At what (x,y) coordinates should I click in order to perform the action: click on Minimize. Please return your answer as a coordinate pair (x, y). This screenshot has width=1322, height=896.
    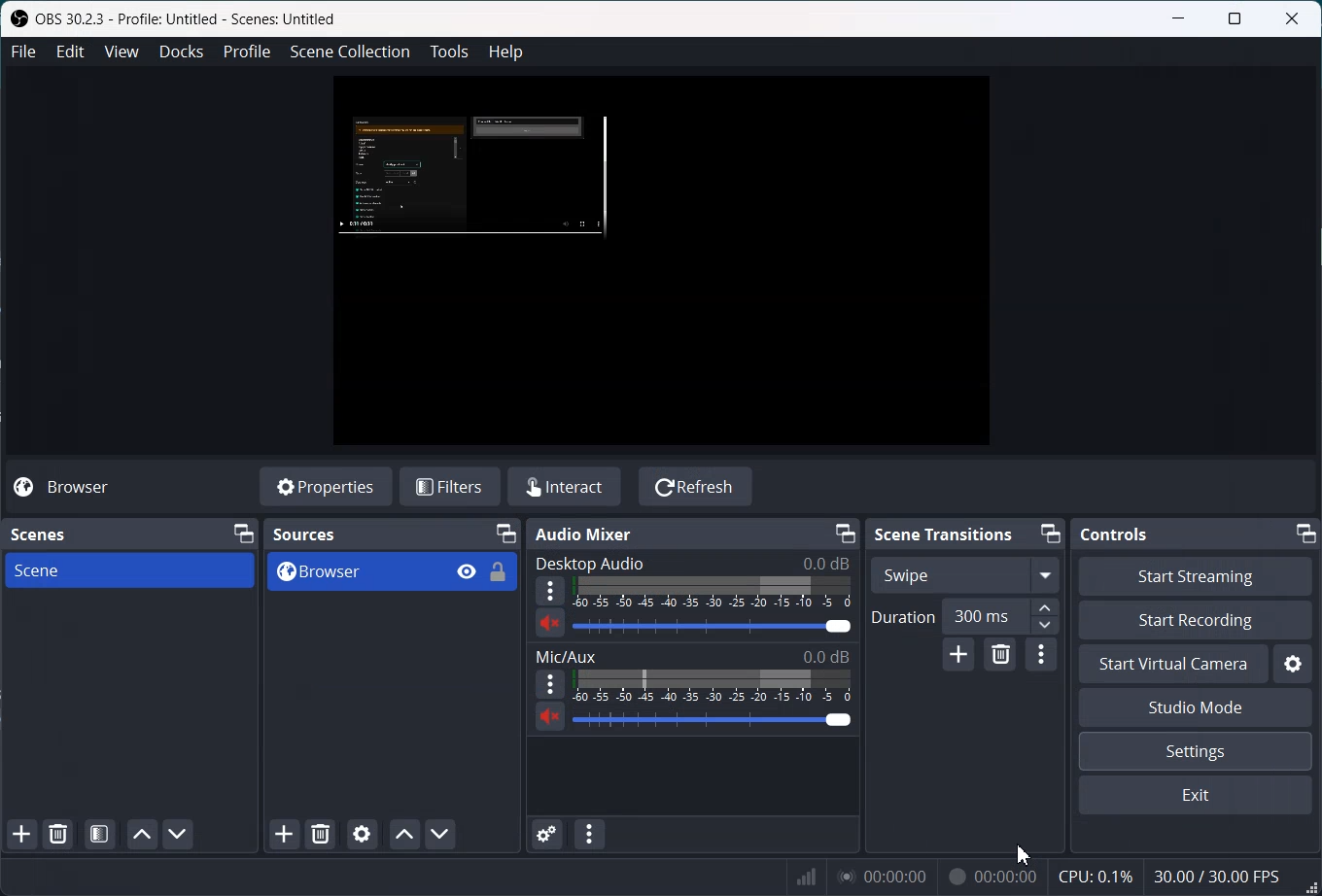
    Looking at the image, I should click on (1307, 533).